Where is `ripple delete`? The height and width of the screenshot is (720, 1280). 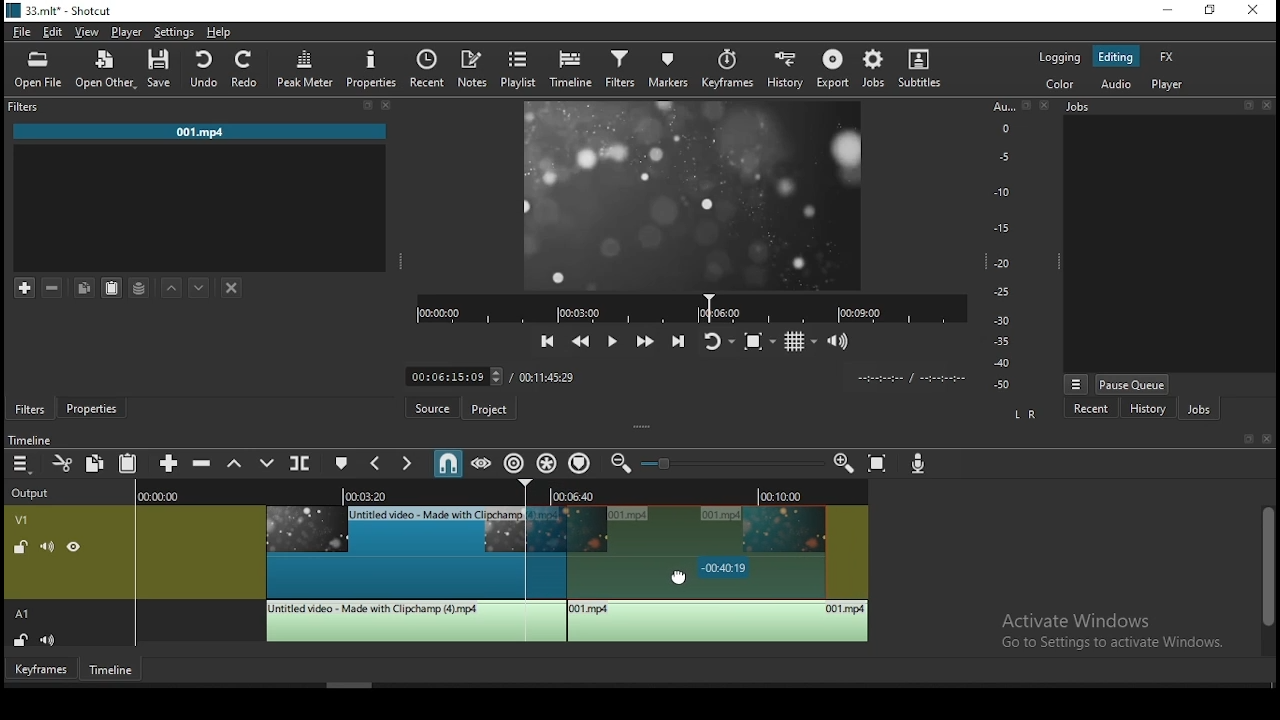 ripple delete is located at coordinates (203, 464).